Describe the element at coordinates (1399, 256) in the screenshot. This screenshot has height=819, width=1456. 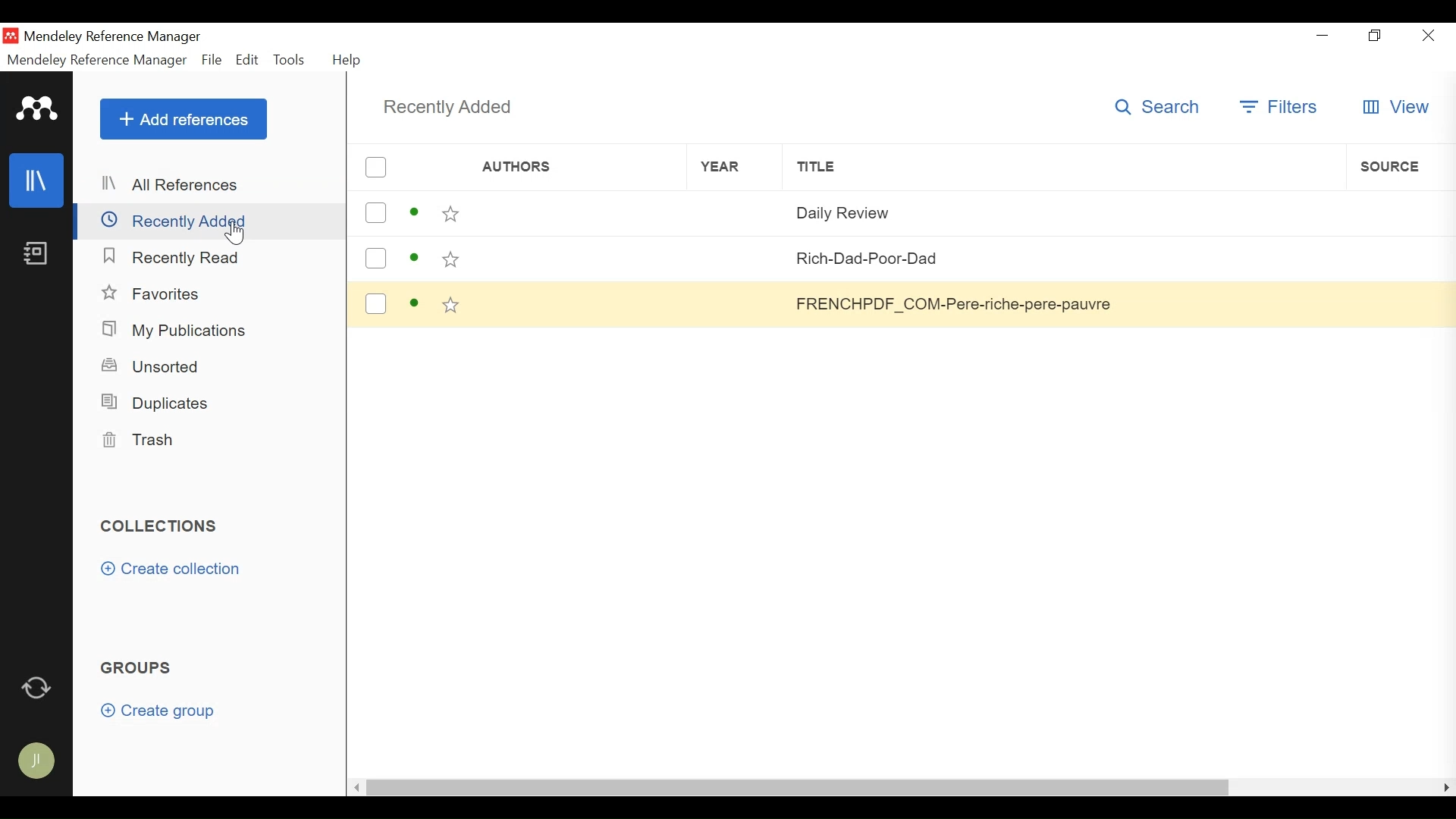
I see `Source` at that location.